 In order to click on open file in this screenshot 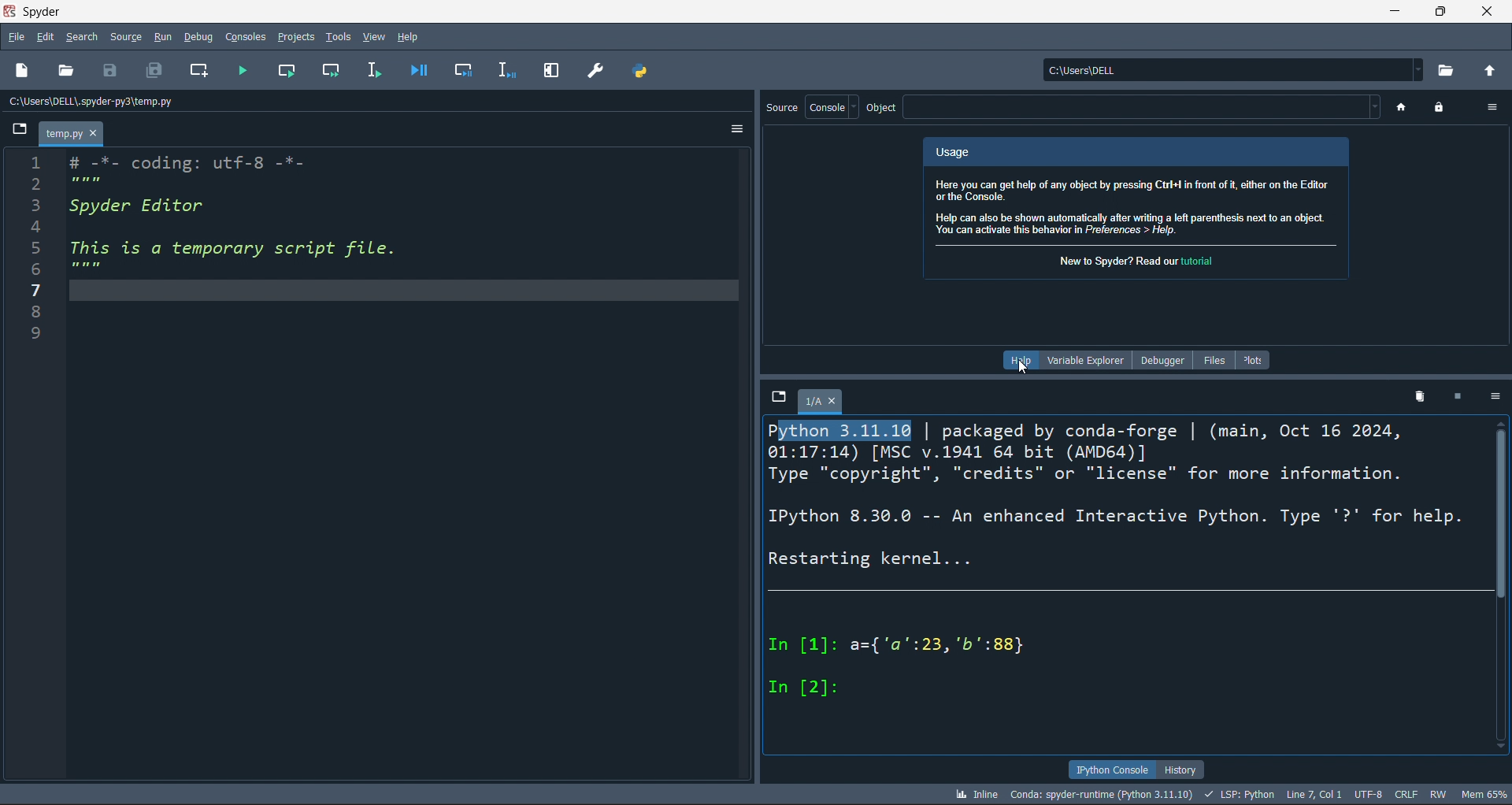, I will do `click(66, 70)`.